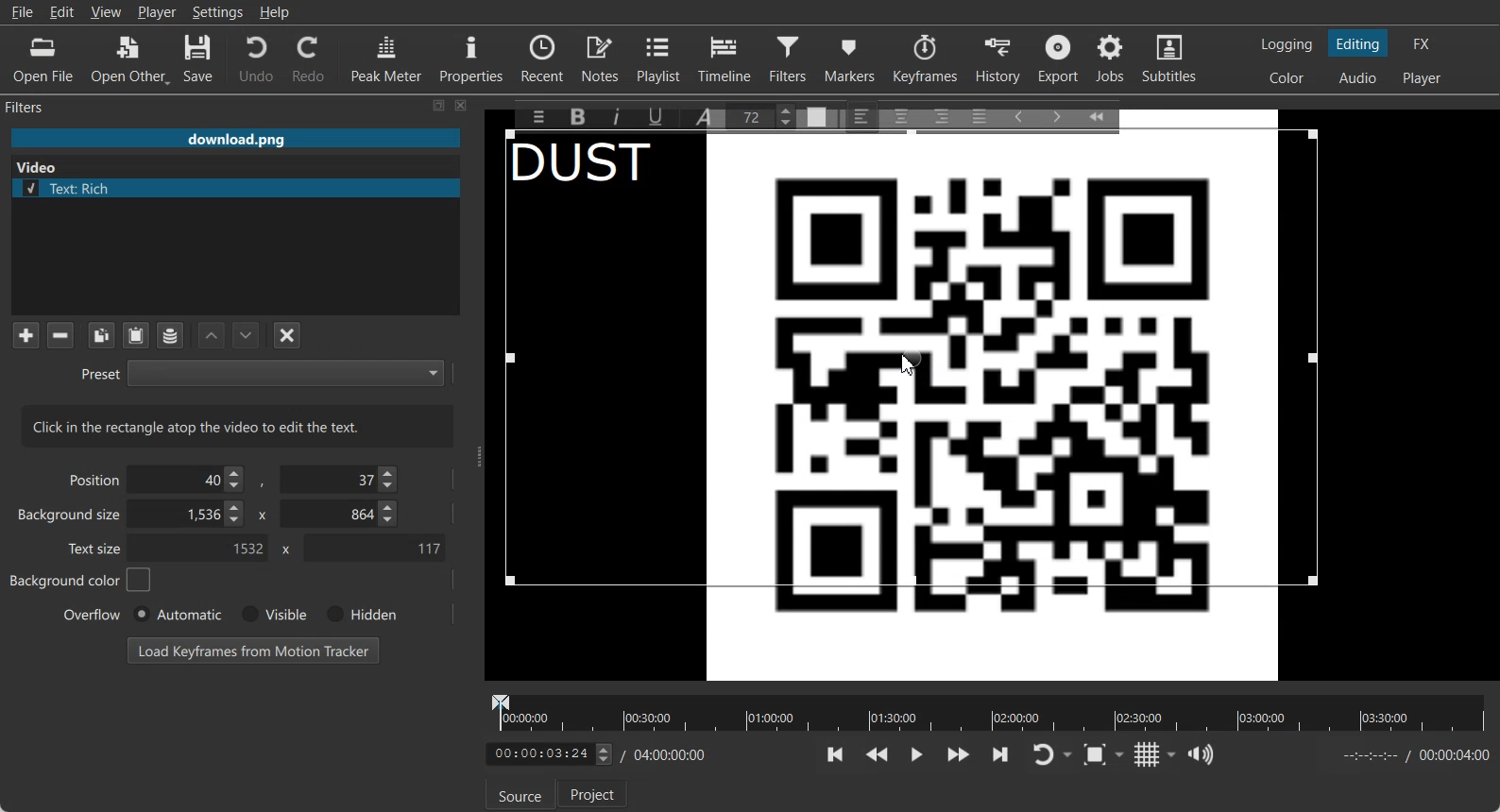  What do you see at coordinates (235, 140) in the screenshot?
I see `File` at bounding box center [235, 140].